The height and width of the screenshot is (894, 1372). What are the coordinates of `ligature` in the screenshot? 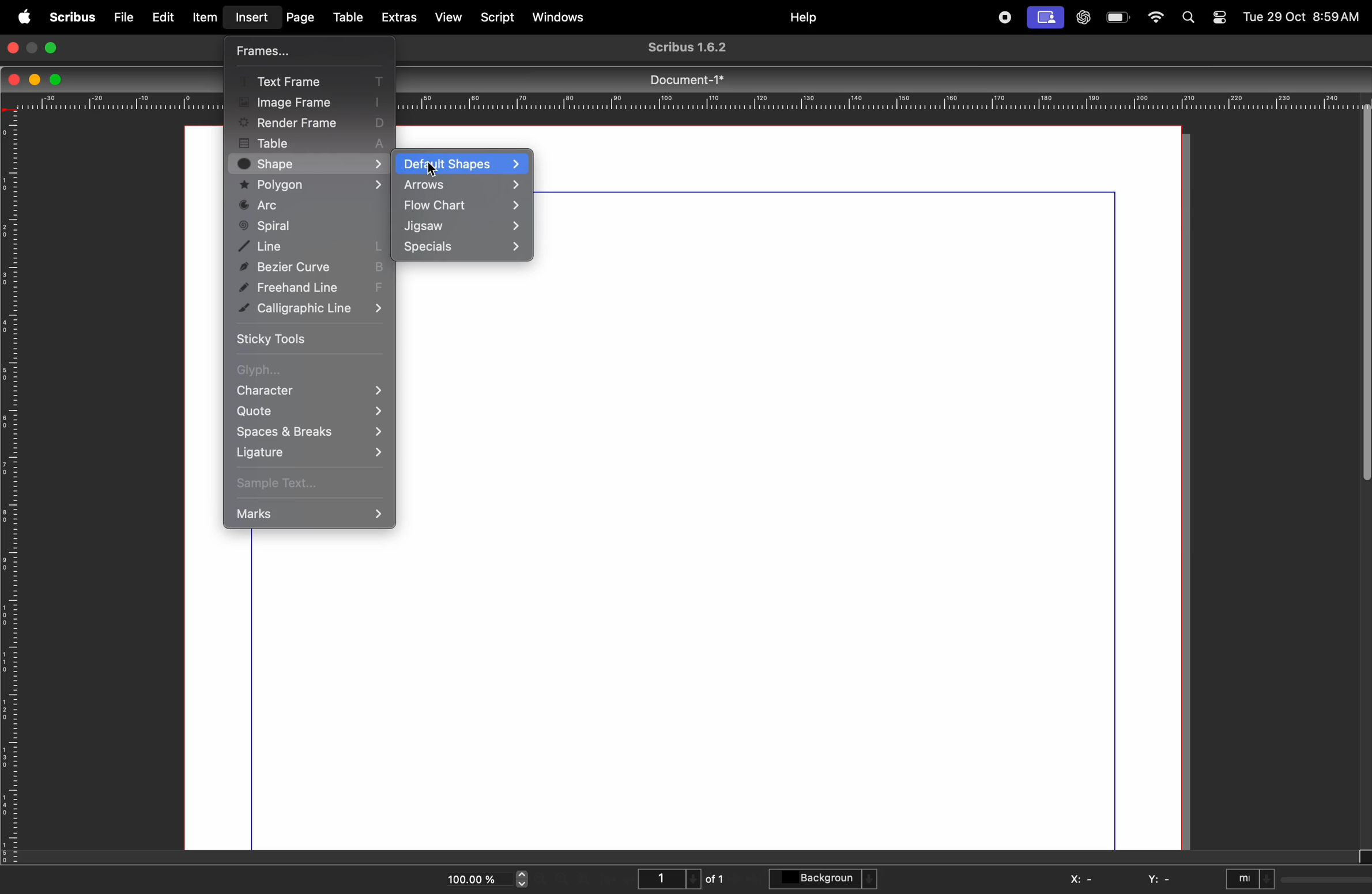 It's located at (306, 452).